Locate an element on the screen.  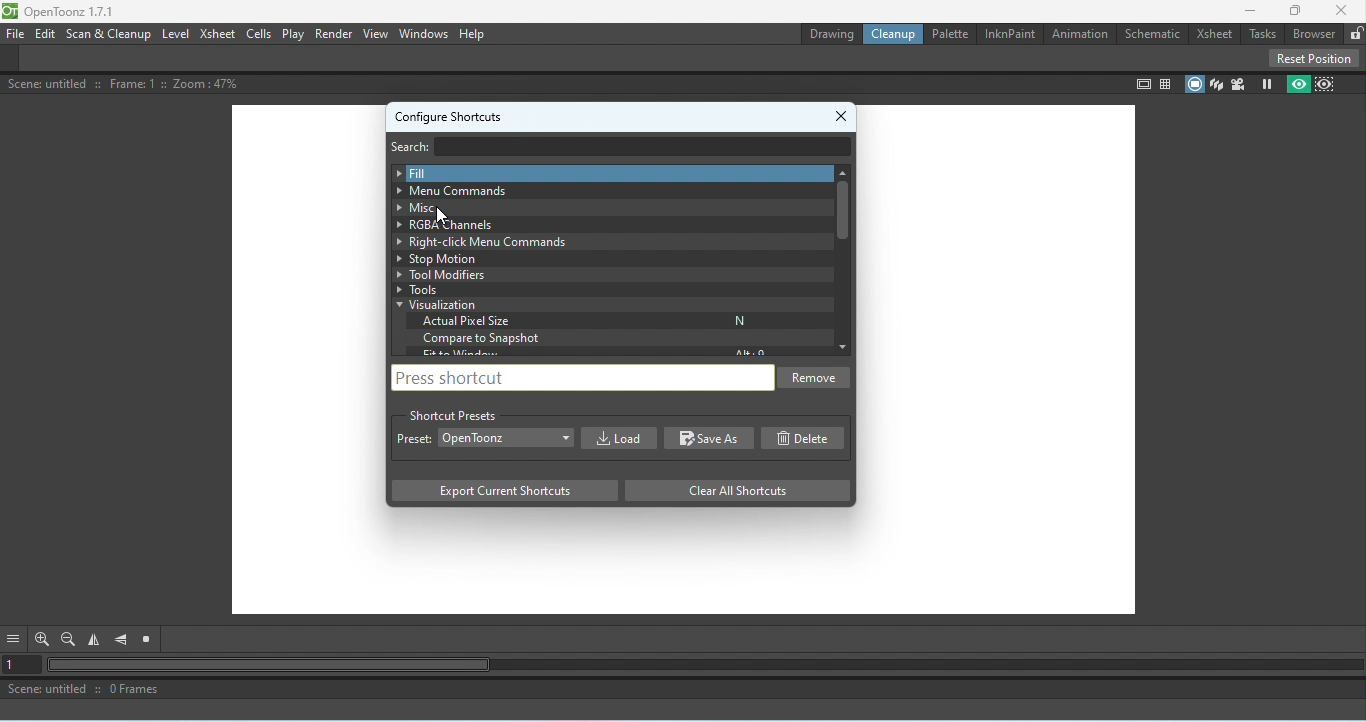
Reset view is located at coordinates (150, 640).